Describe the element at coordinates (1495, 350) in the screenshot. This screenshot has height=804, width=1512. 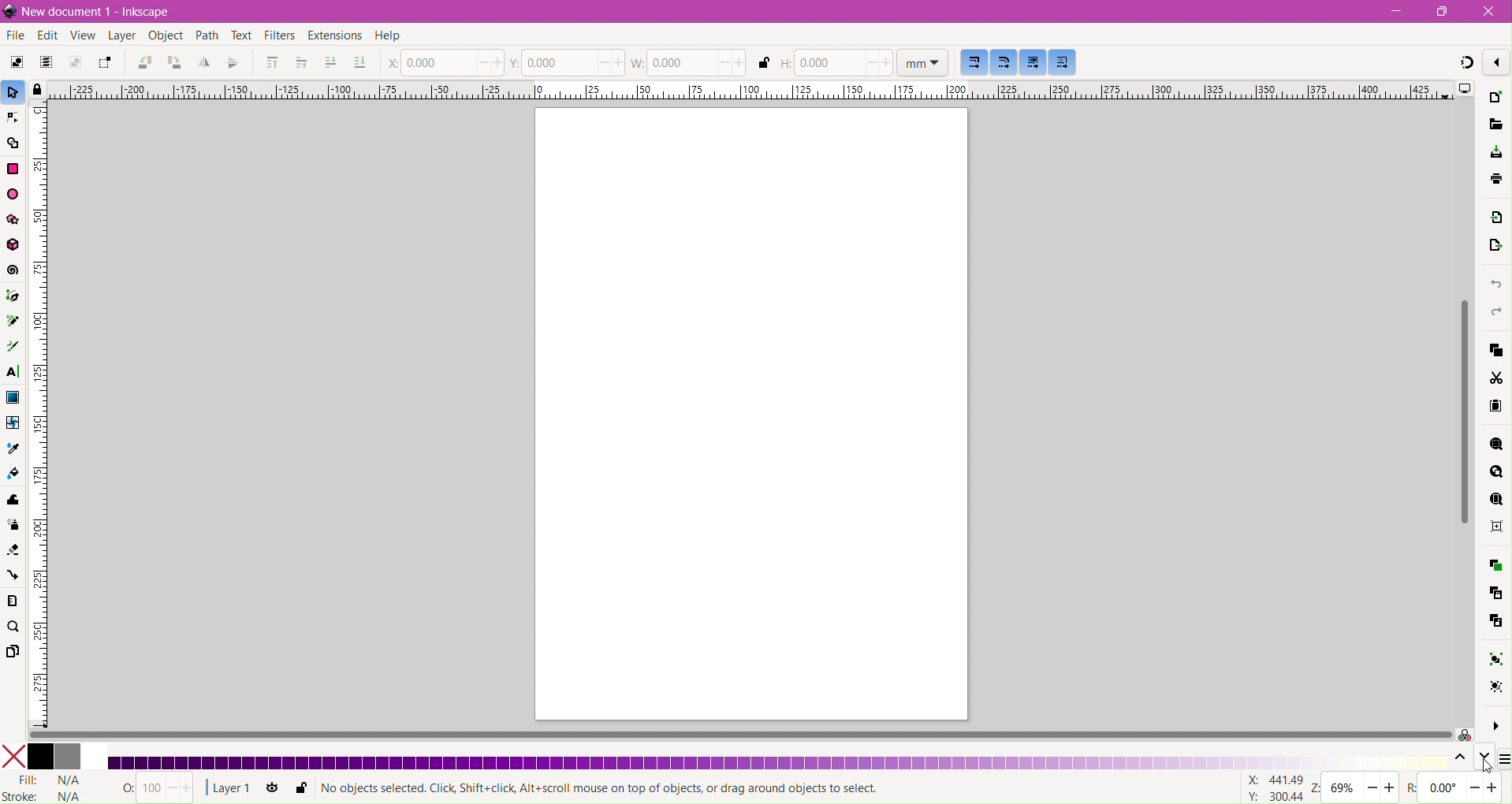
I see `Copy` at that location.